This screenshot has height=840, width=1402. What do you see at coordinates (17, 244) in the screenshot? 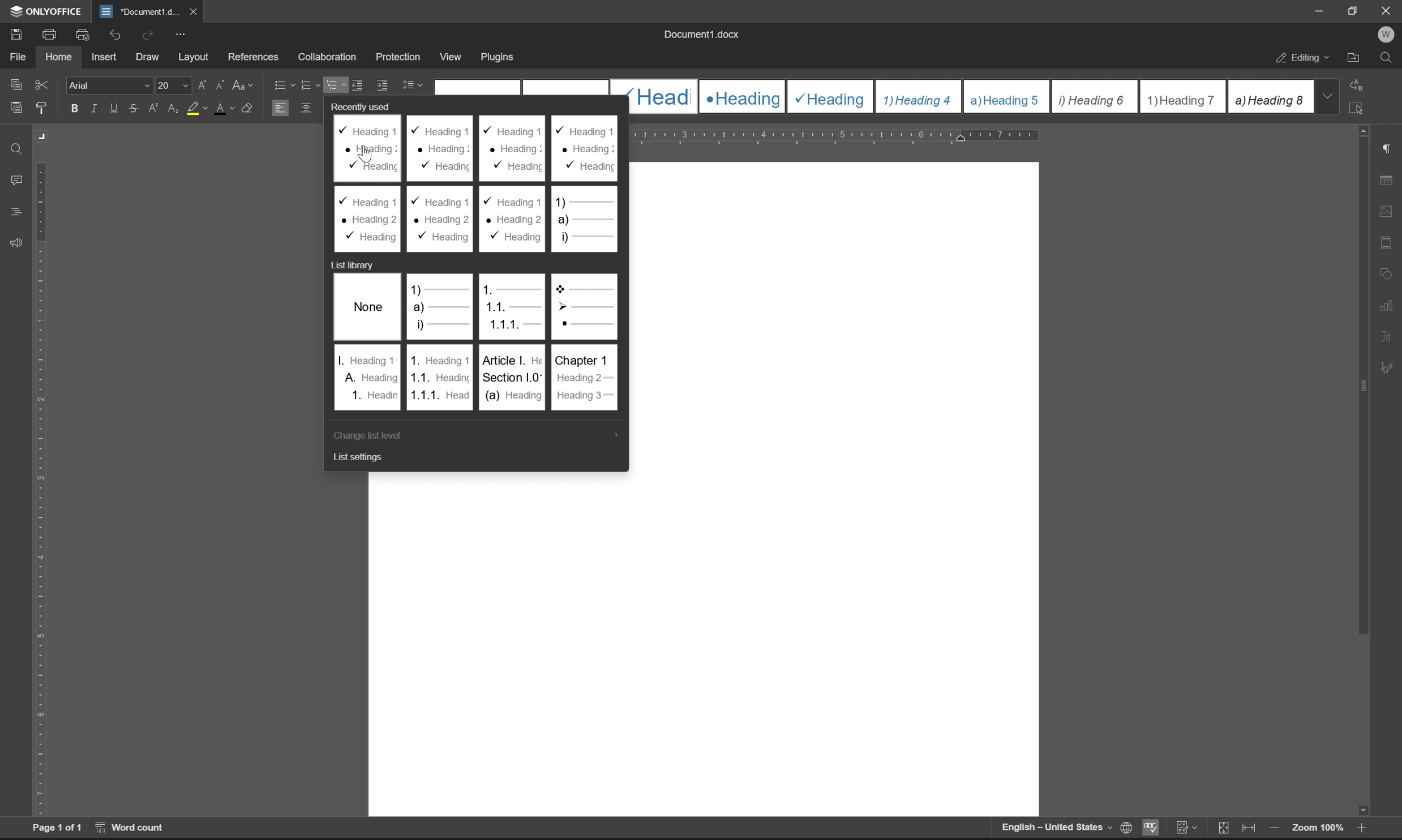
I see `feedback & support` at bounding box center [17, 244].